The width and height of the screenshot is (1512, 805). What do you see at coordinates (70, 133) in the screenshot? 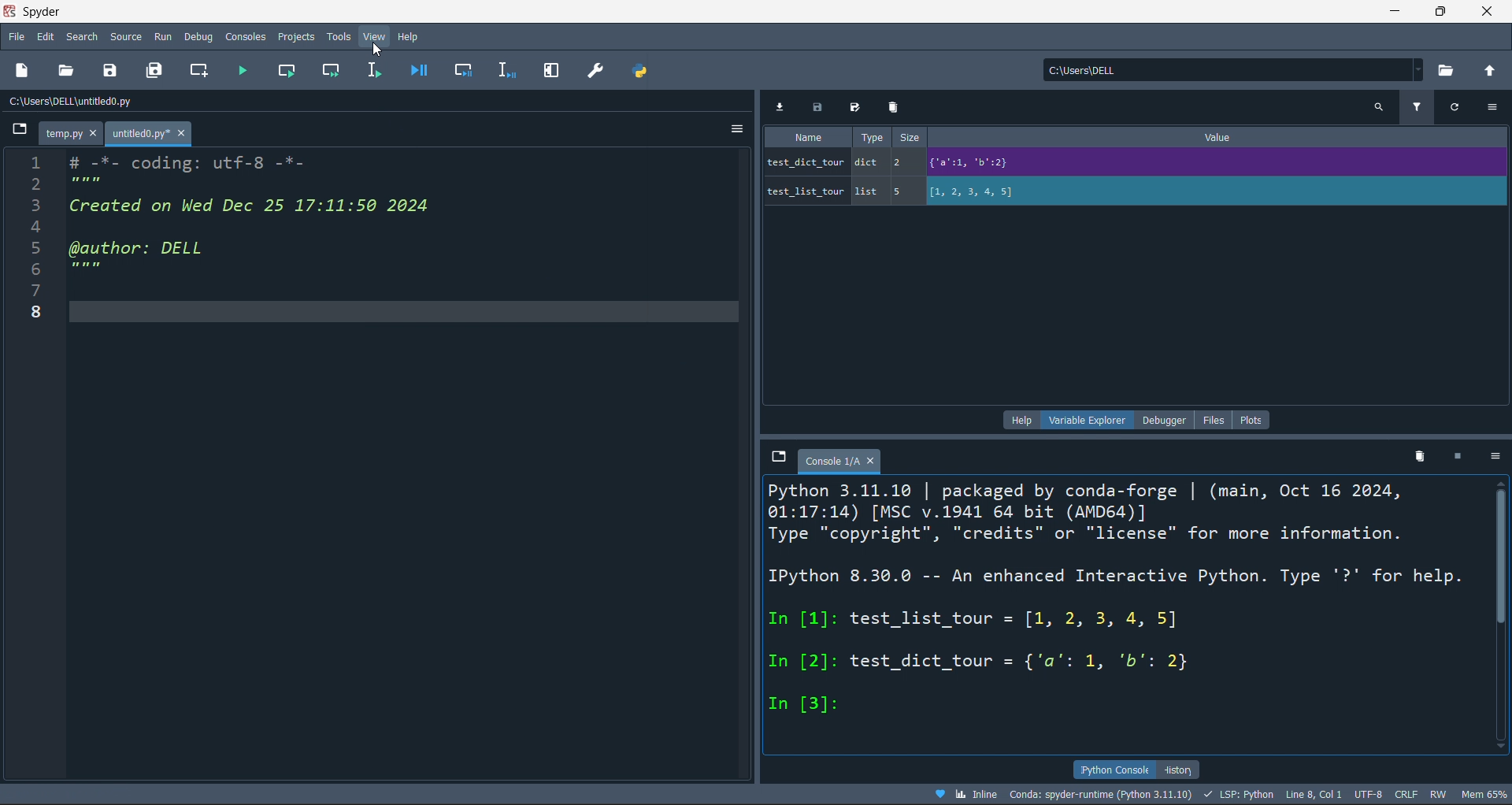
I see `temp.py` at bounding box center [70, 133].